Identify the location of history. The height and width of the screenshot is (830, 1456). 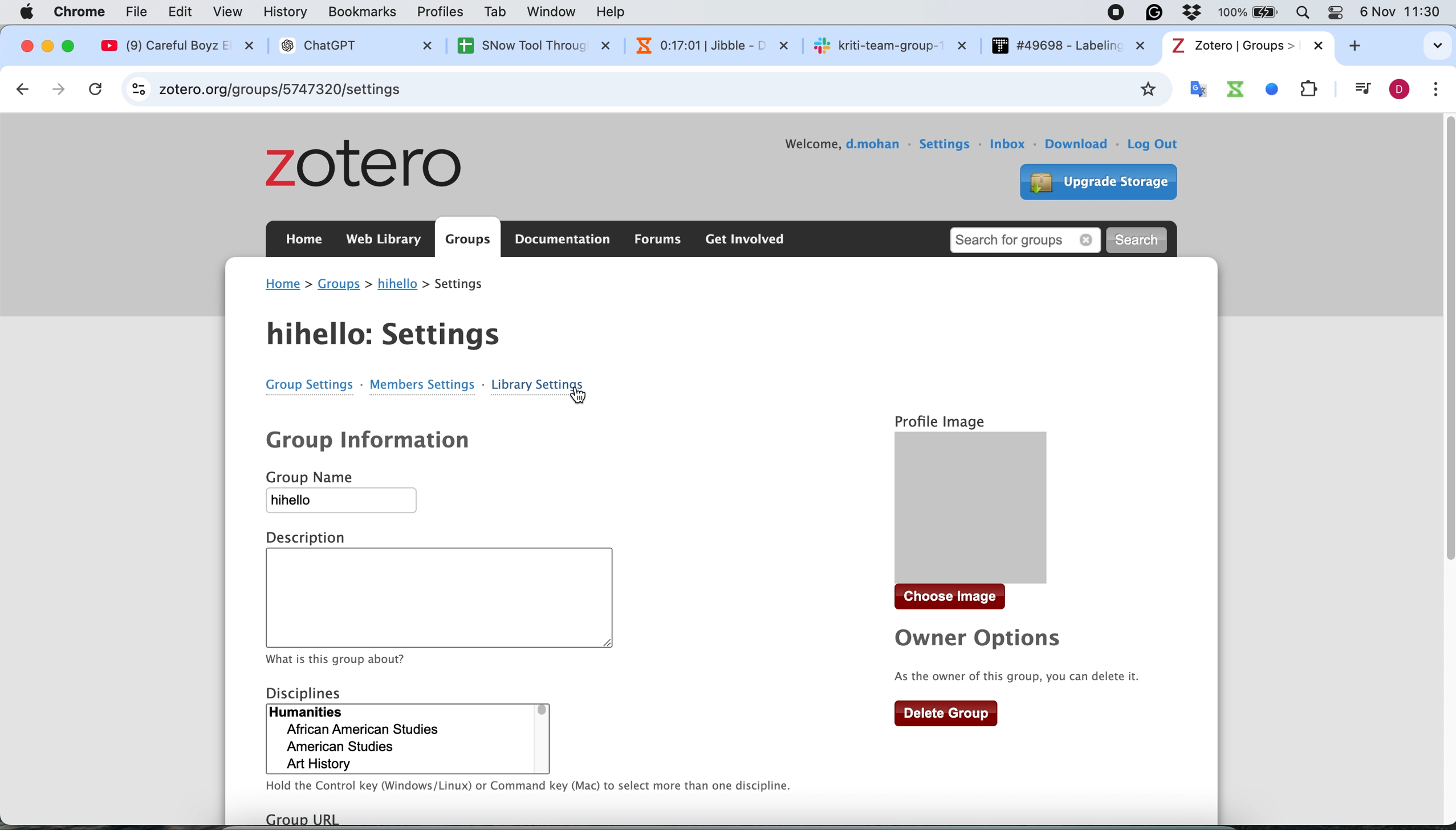
(289, 13).